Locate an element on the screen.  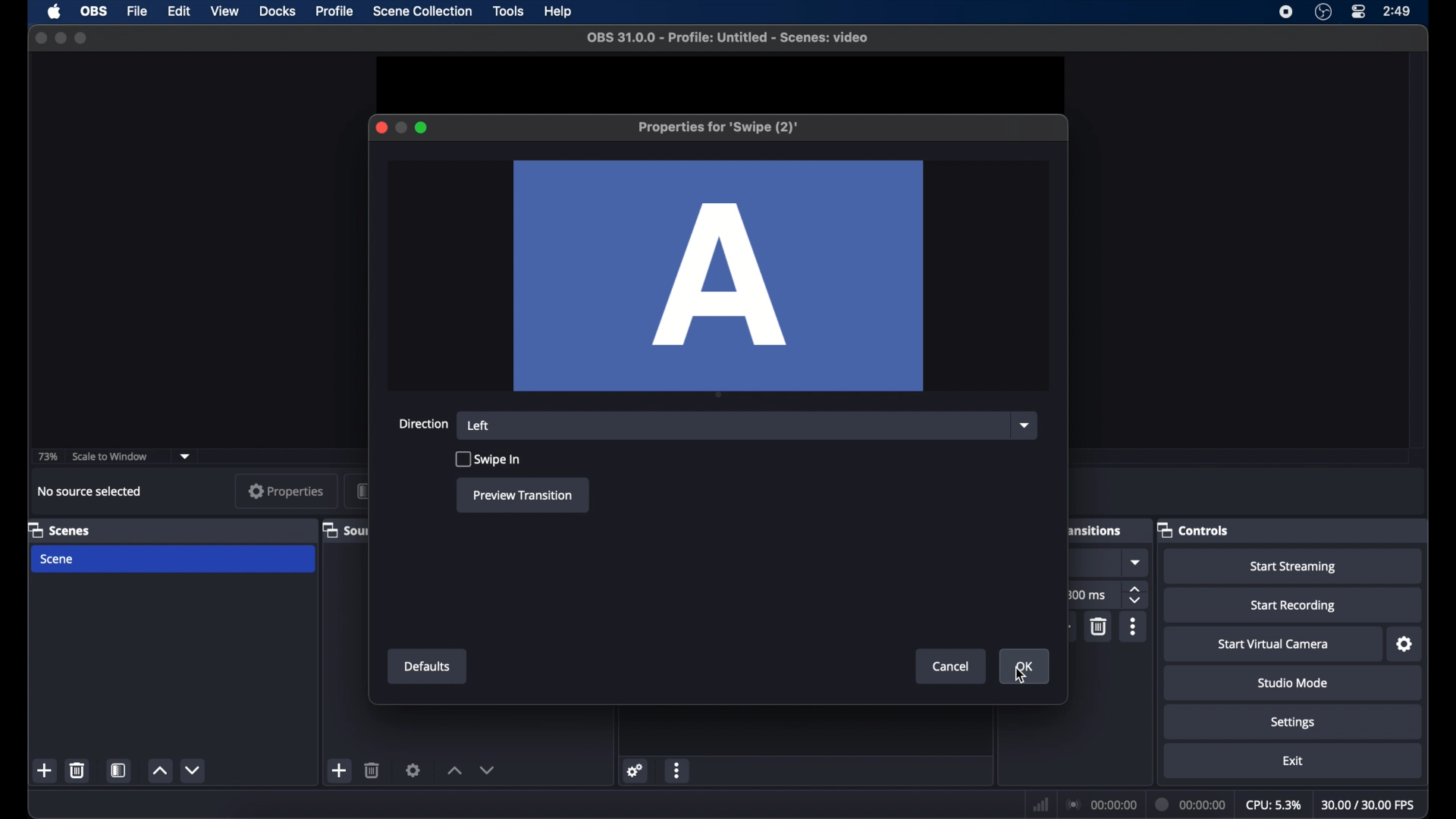
add is located at coordinates (45, 772).